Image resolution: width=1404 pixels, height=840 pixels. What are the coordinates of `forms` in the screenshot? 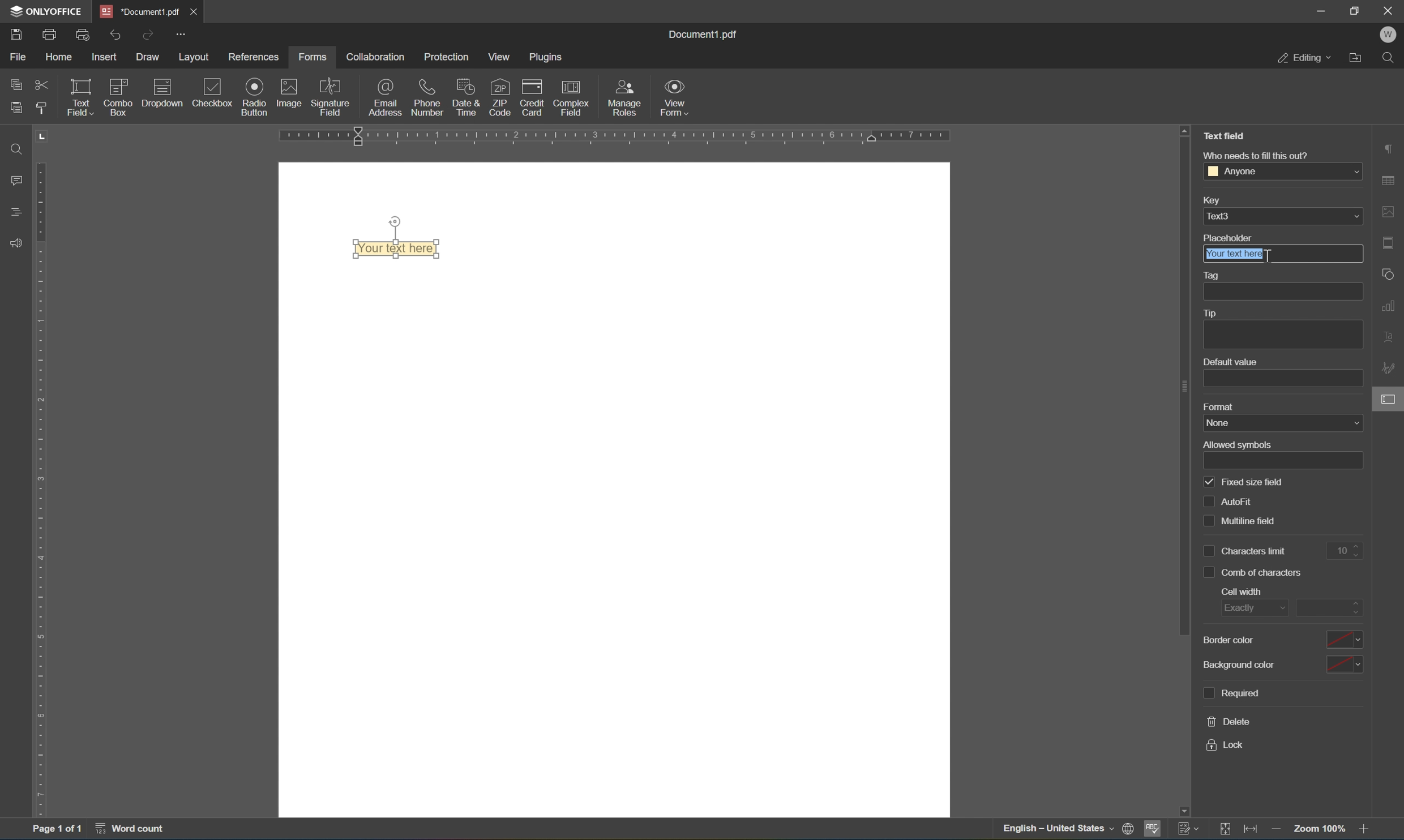 It's located at (313, 58).